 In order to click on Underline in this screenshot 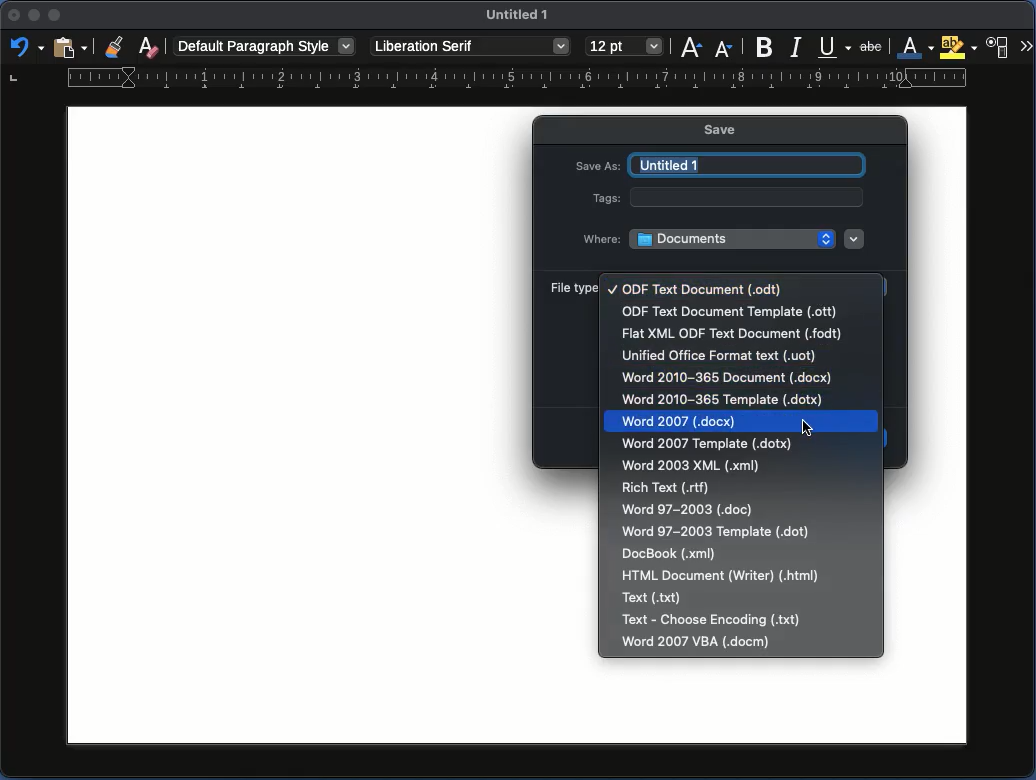, I will do `click(835, 46)`.